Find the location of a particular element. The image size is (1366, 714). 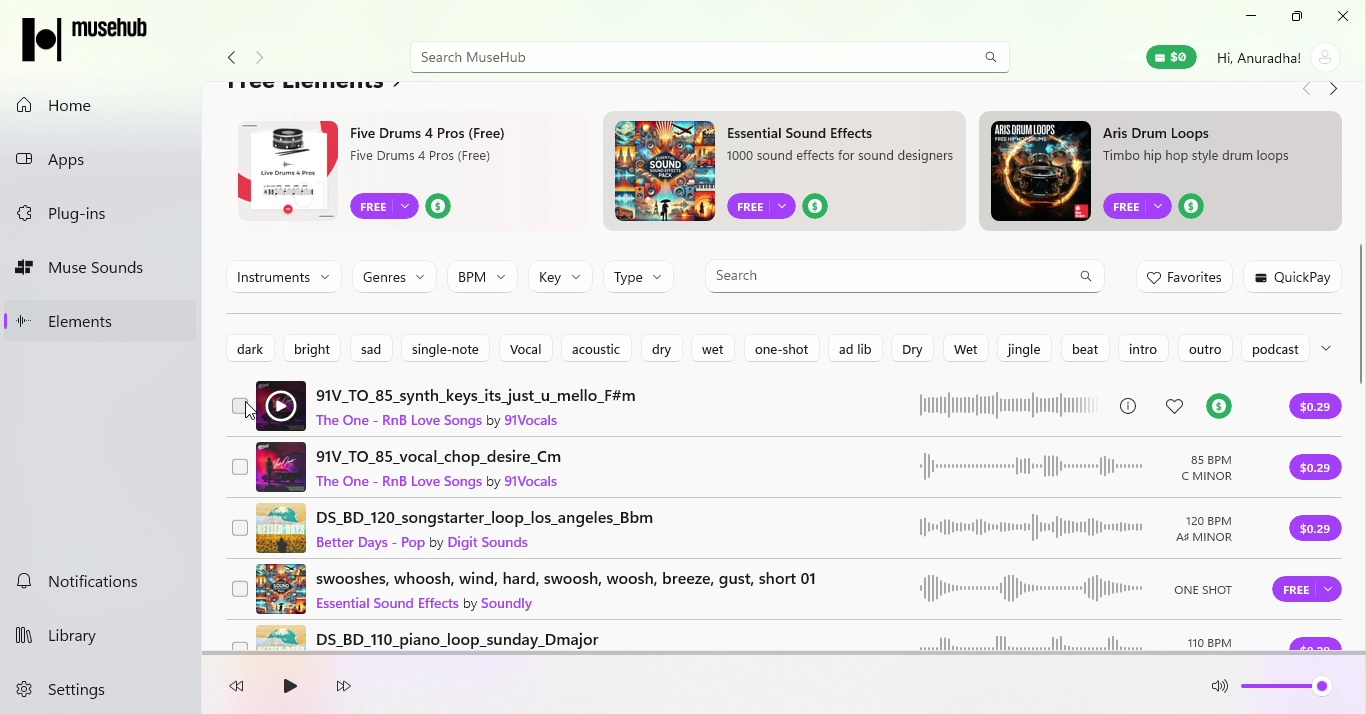

Info is located at coordinates (1128, 405).